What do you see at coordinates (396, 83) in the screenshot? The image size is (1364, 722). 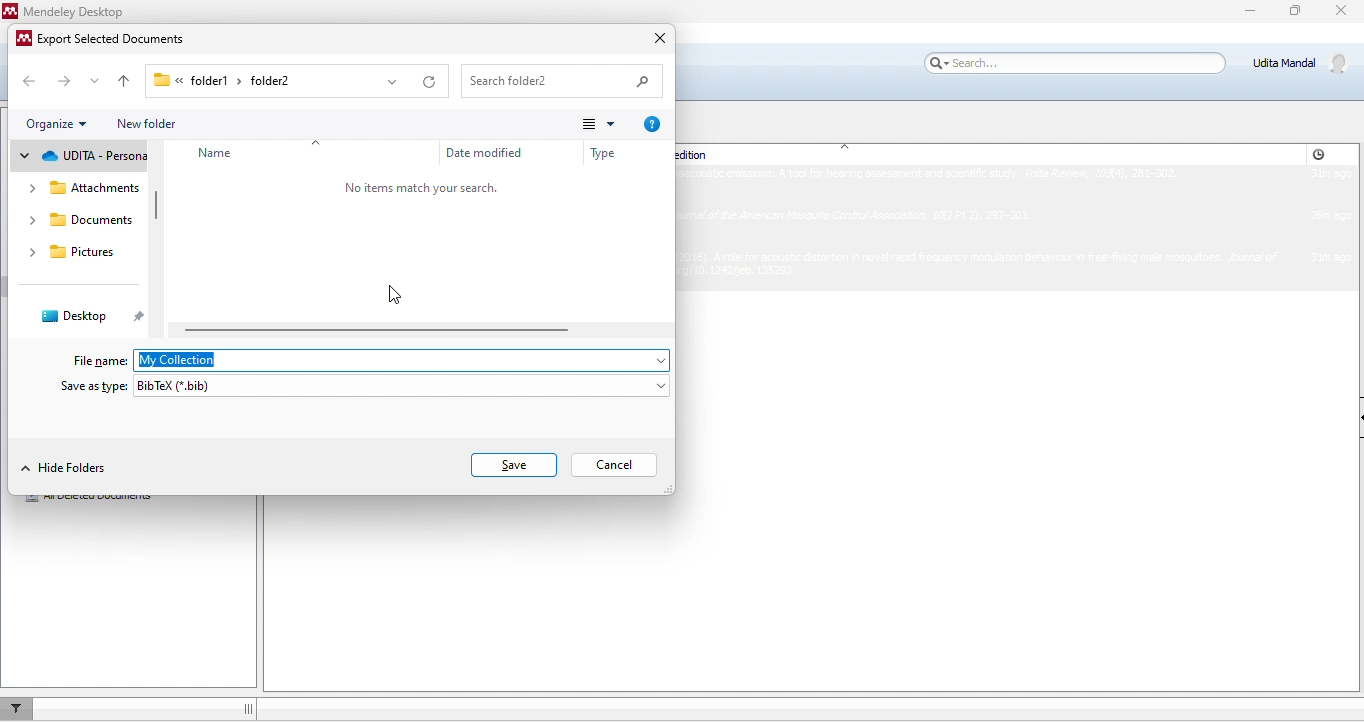 I see `drop down` at bounding box center [396, 83].